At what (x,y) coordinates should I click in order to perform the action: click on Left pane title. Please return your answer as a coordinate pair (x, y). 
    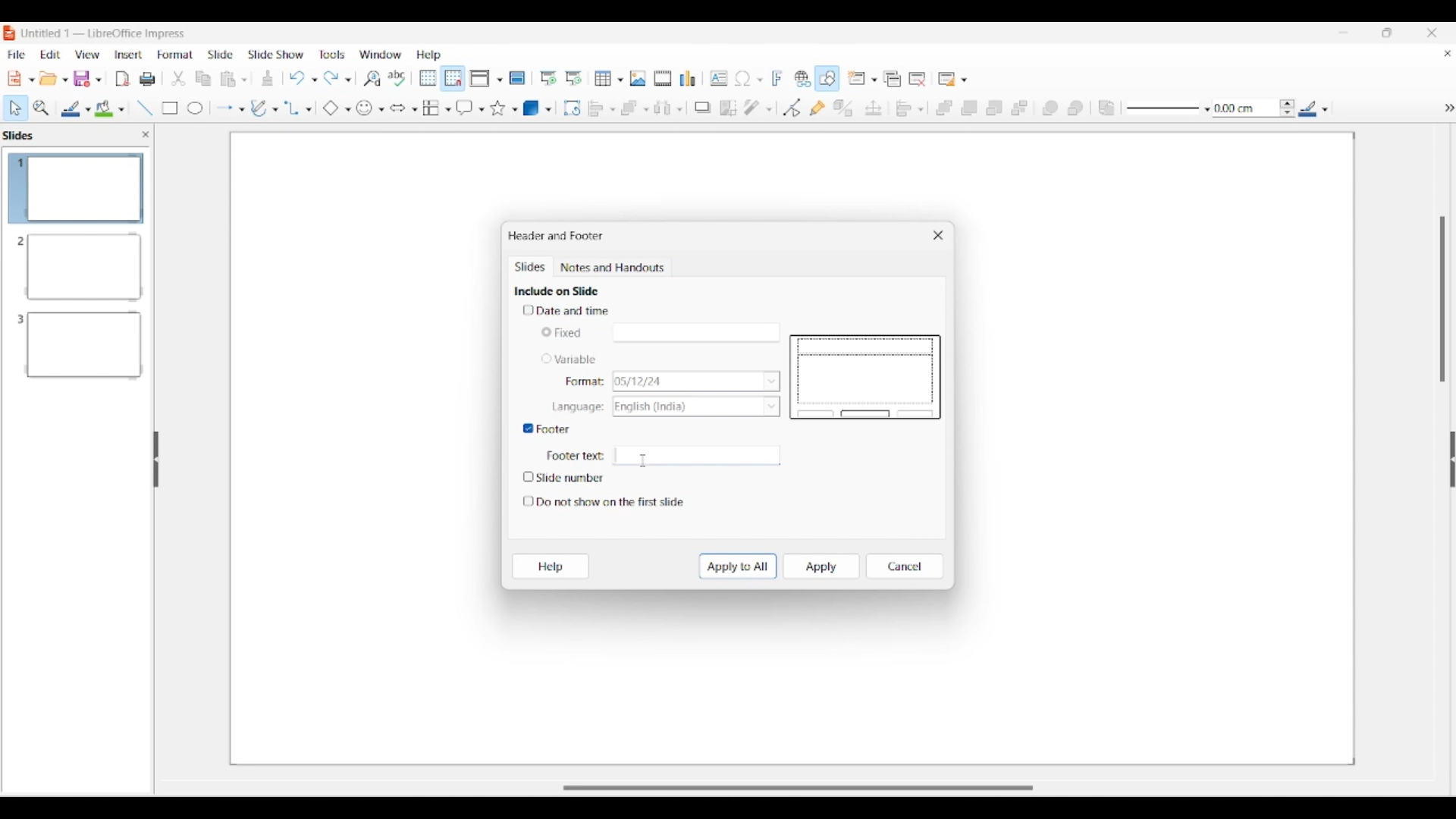
    Looking at the image, I should click on (22, 135).